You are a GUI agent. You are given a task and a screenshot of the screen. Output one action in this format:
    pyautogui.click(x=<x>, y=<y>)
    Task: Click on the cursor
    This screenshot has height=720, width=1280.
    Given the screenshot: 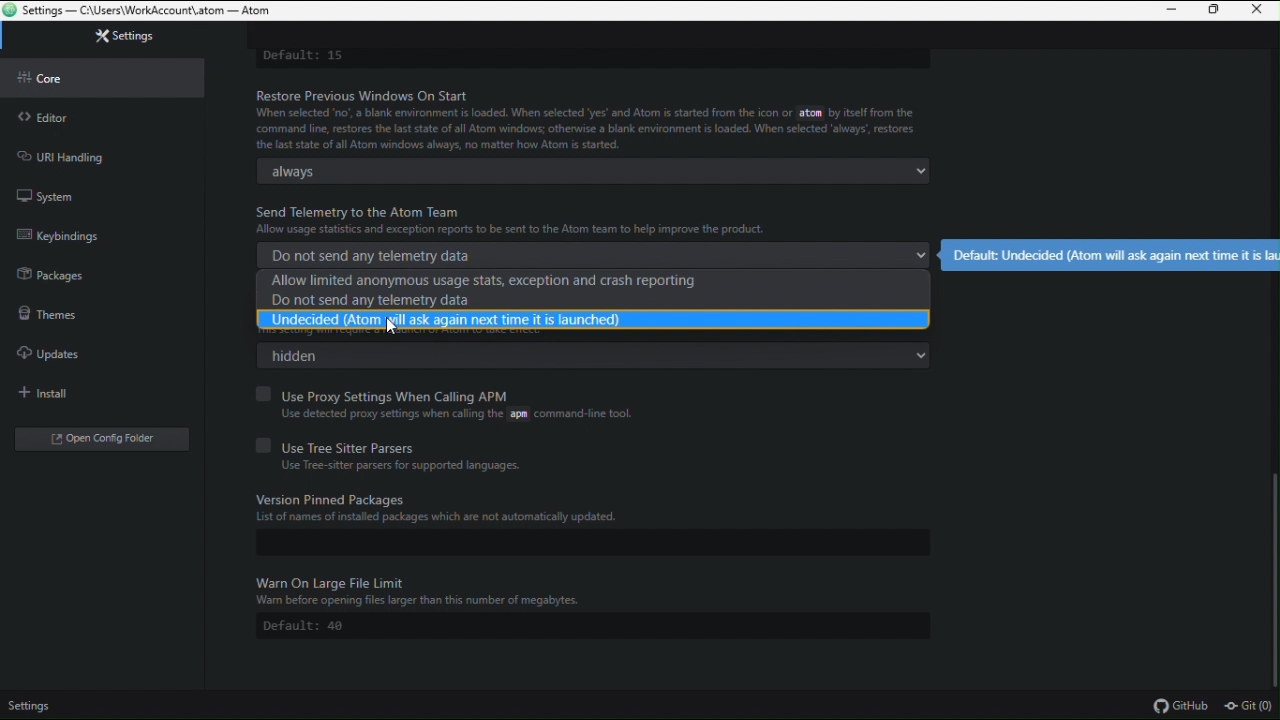 What is the action you would take?
    pyautogui.click(x=392, y=325)
    